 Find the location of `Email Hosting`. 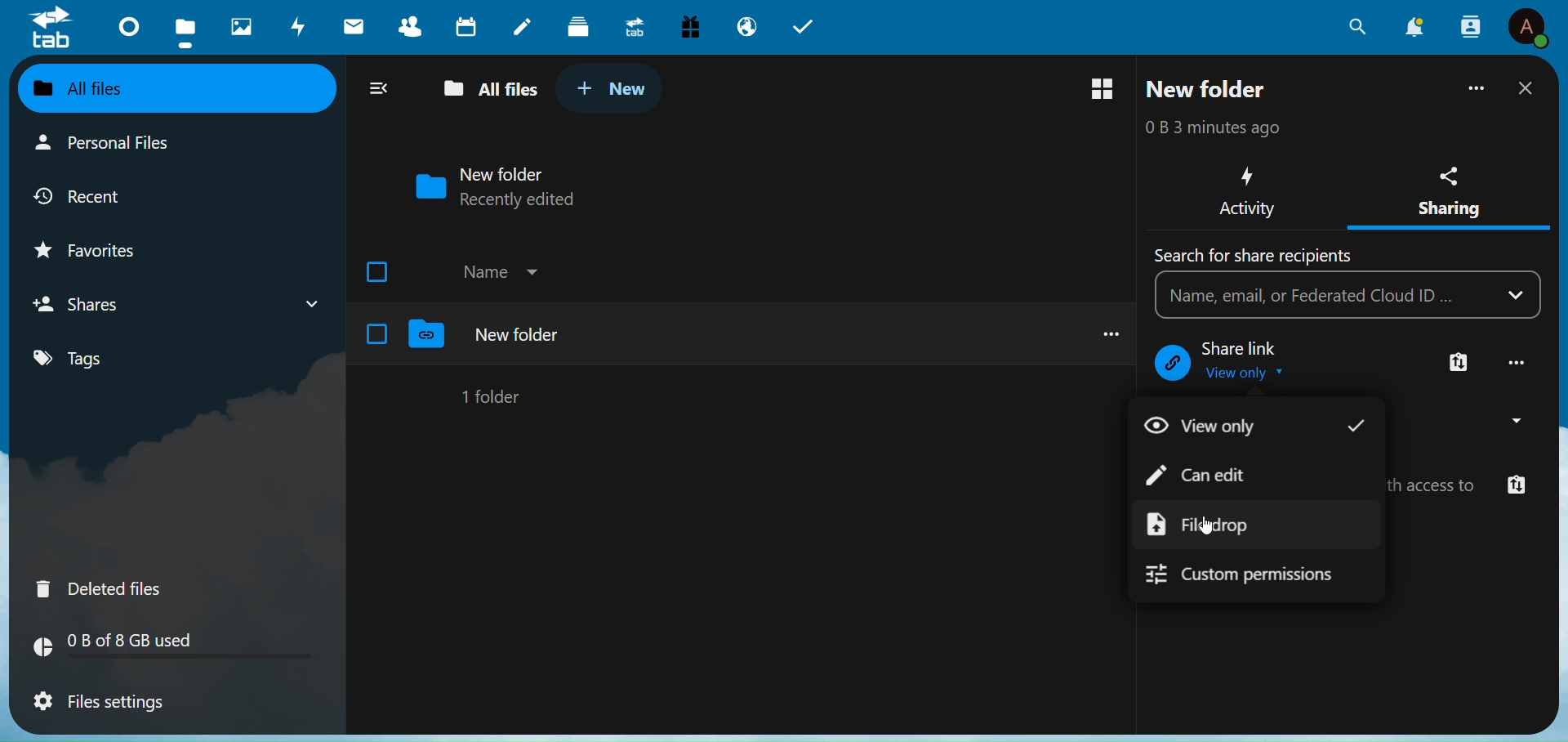

Email Hosting is located at coordinates (746, 27).